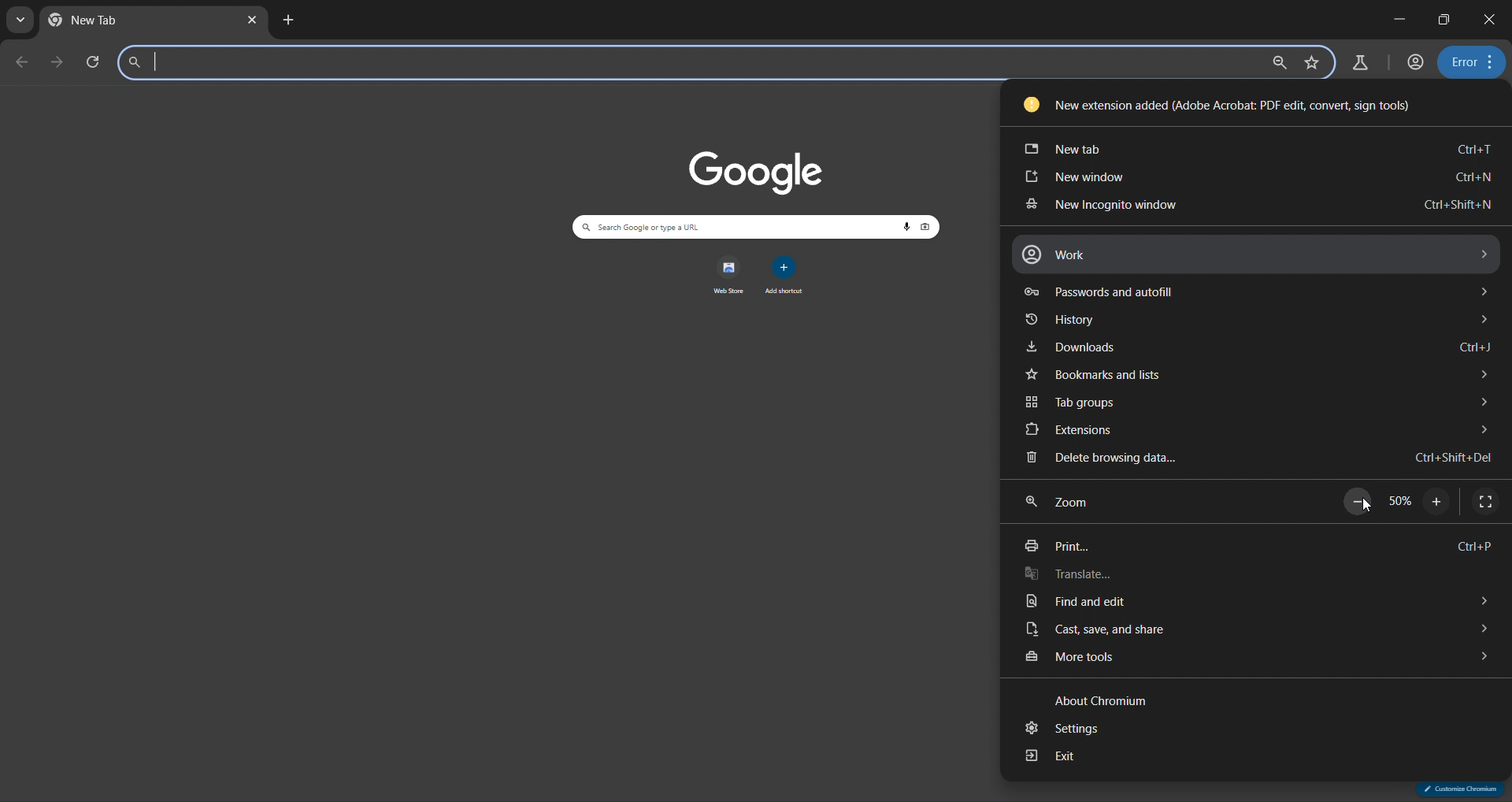 The height and width of the screenshot is (802, 1512). What do you see at coordinates (1055, 759) in the screenshot?
I see `exit` at bounding box center [1055, 759].